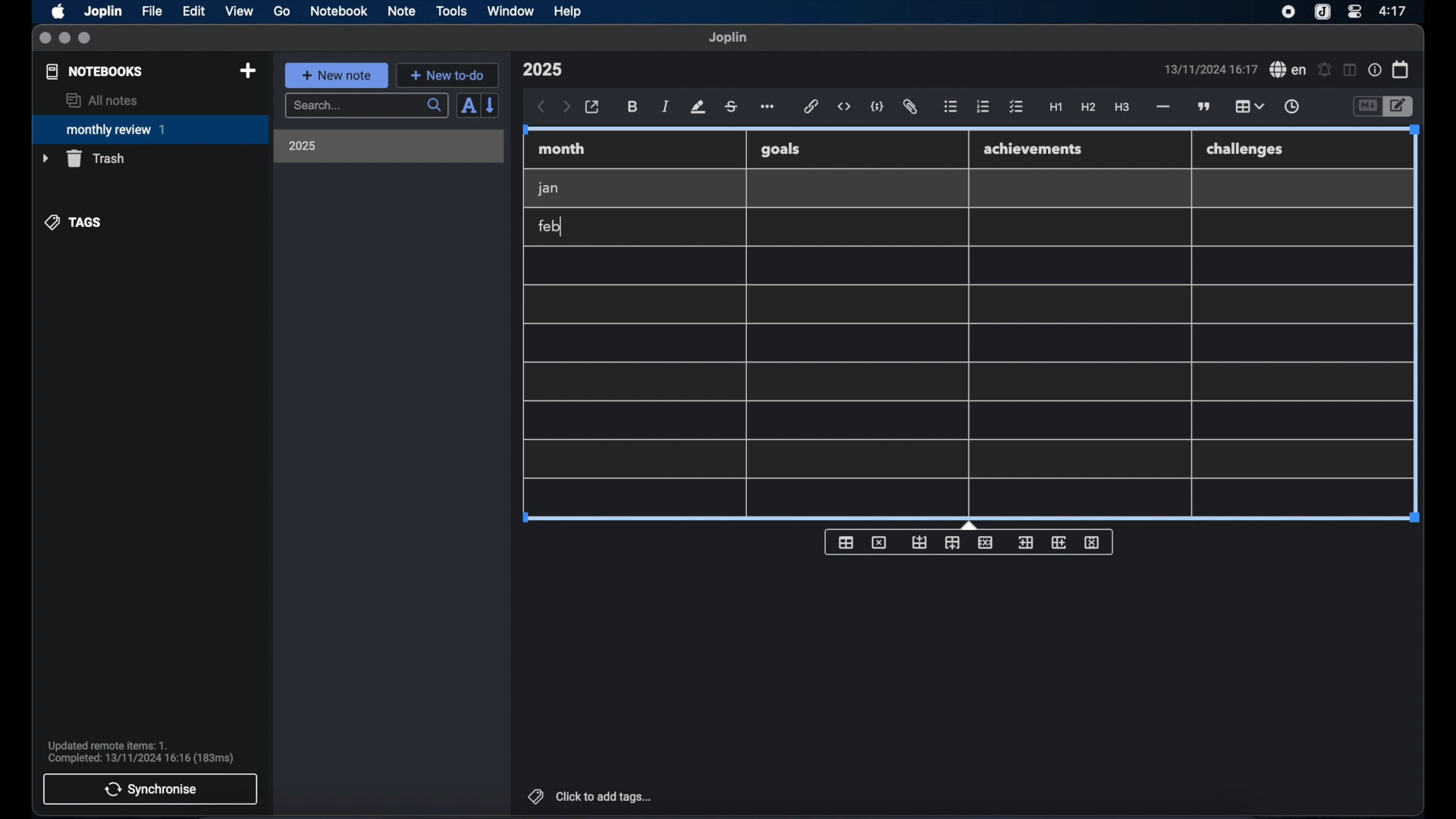 The width and height of the screenshot is (1456, 819). What do you see at coordinates (1288, 12) in the screenshot?
I see `screen recorder icon` at bounding box center [1288, 12].